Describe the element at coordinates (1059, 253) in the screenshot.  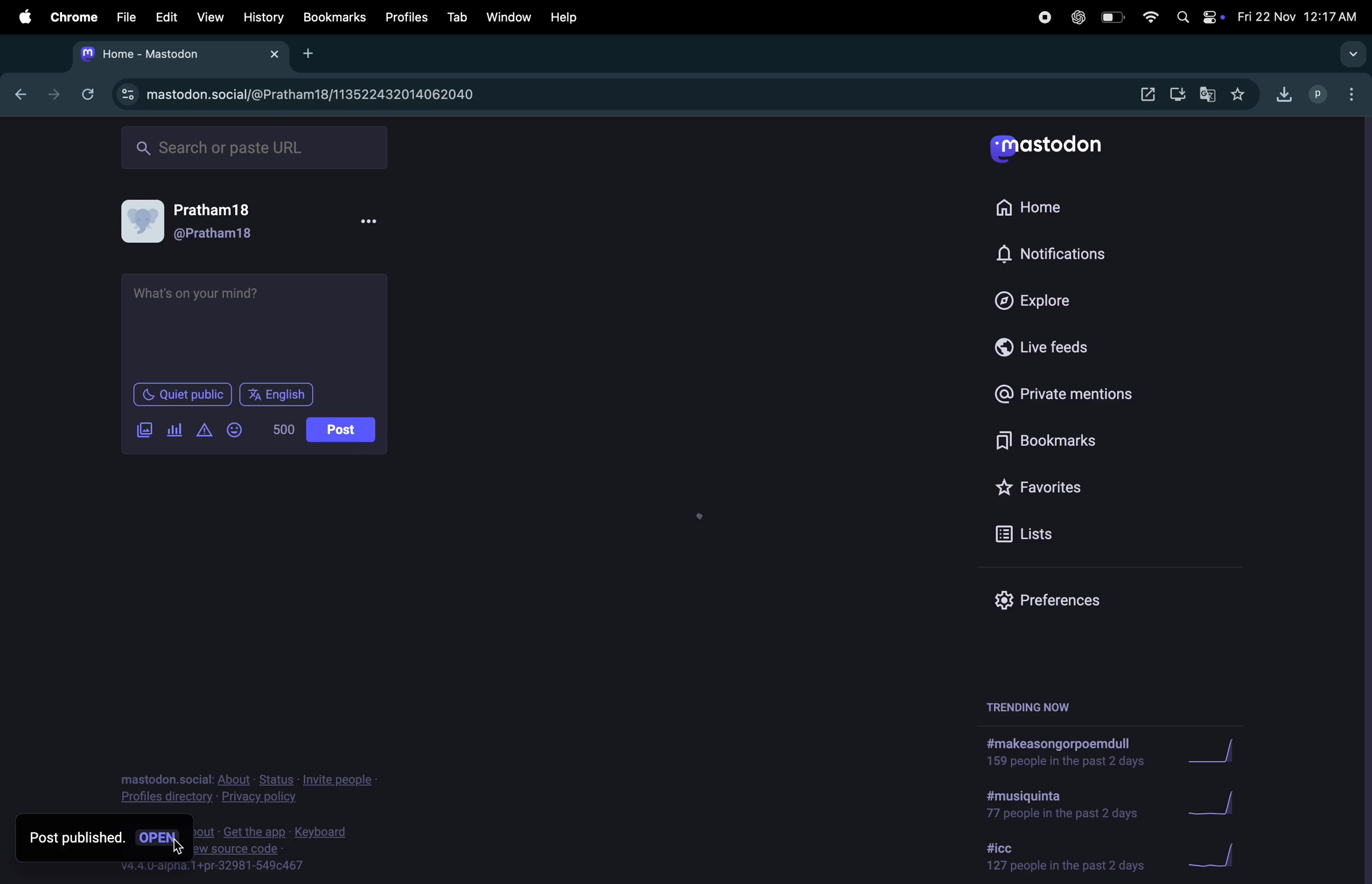
I see `notifications` at that location.